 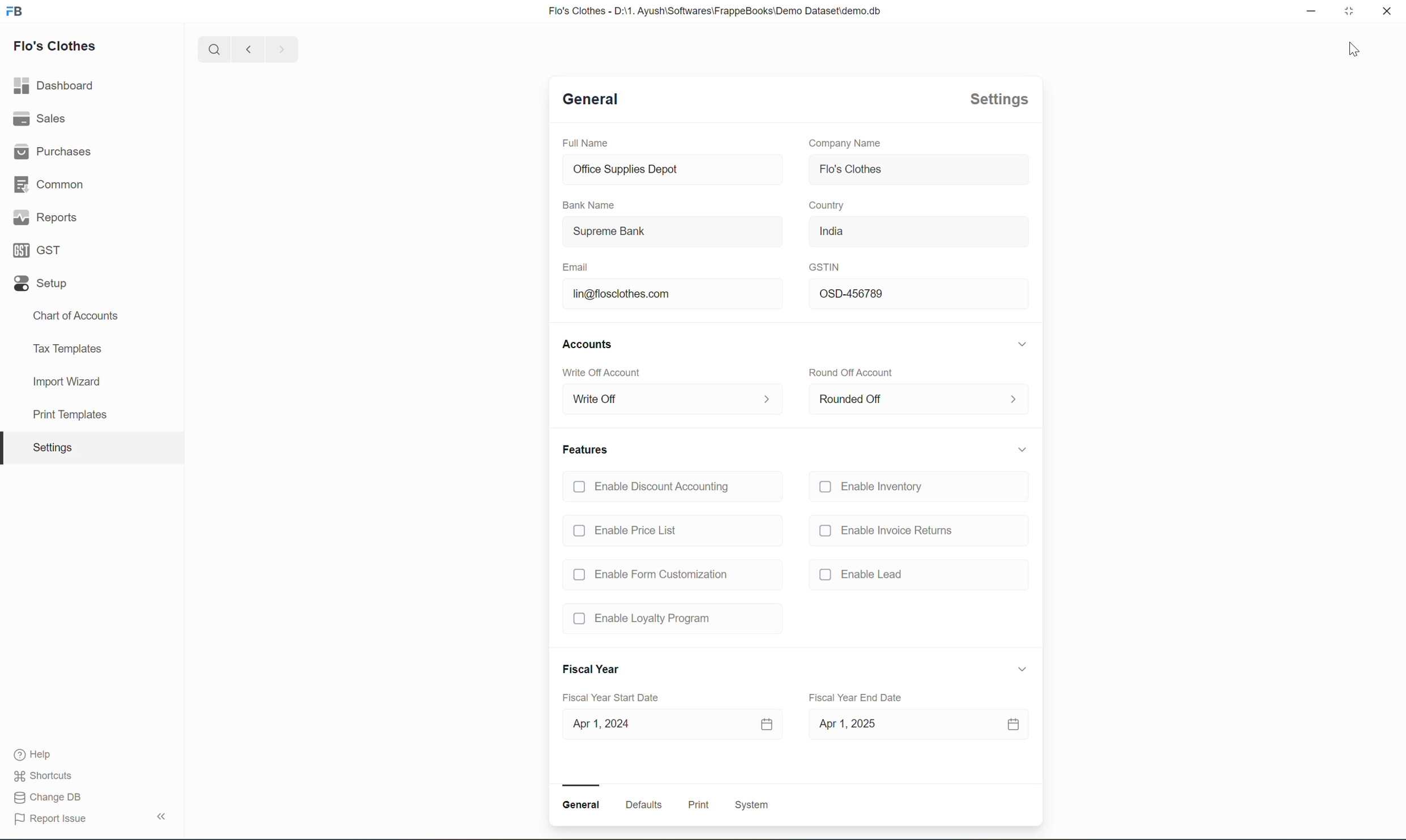 What do you see at coordinates (643, 619) in the screenshot?
I see `Enable Loyalty Program` at bounding box center [643, 619].